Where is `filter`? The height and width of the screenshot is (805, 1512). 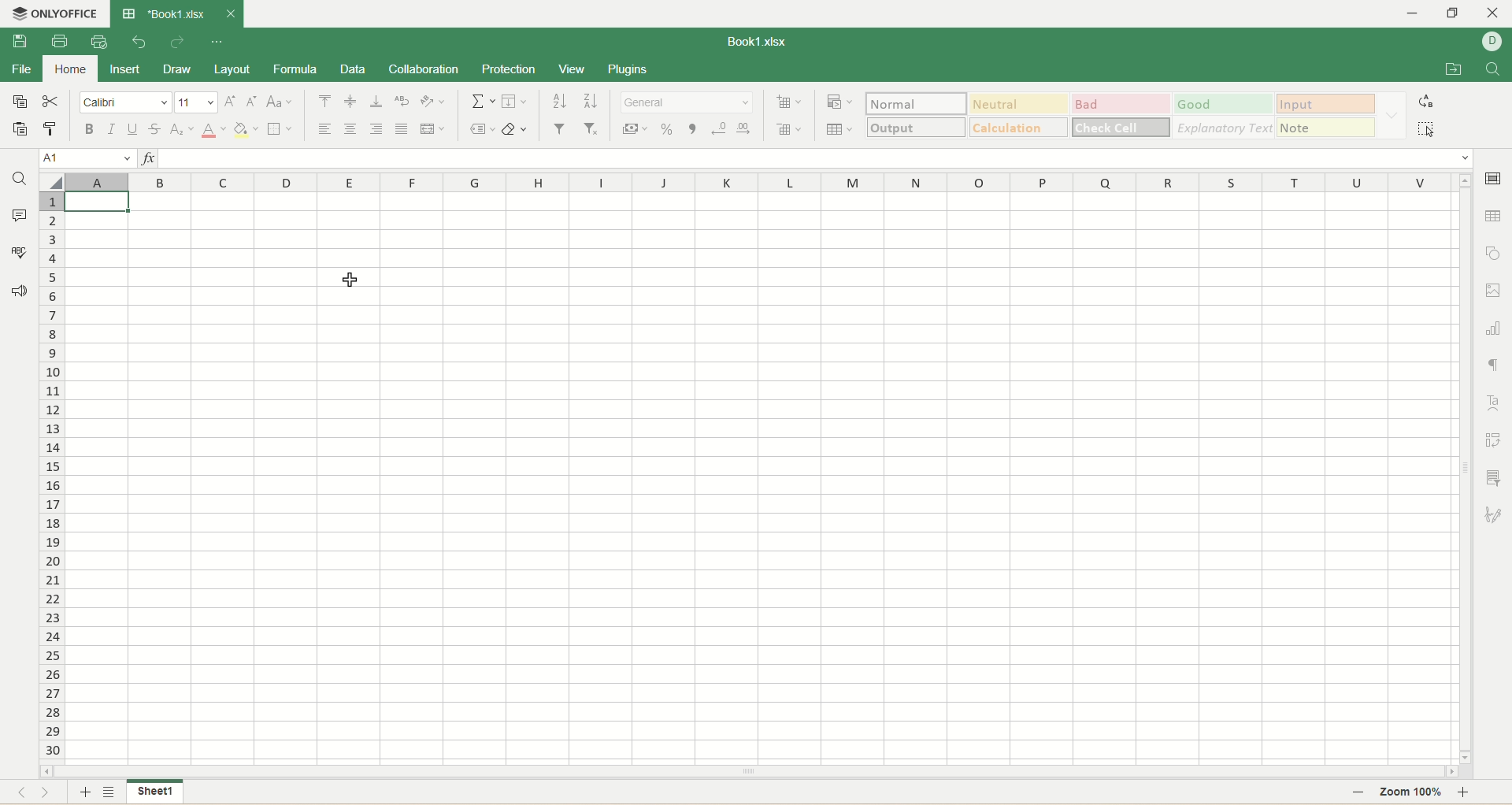 filter is located at coordinates (560, 129).